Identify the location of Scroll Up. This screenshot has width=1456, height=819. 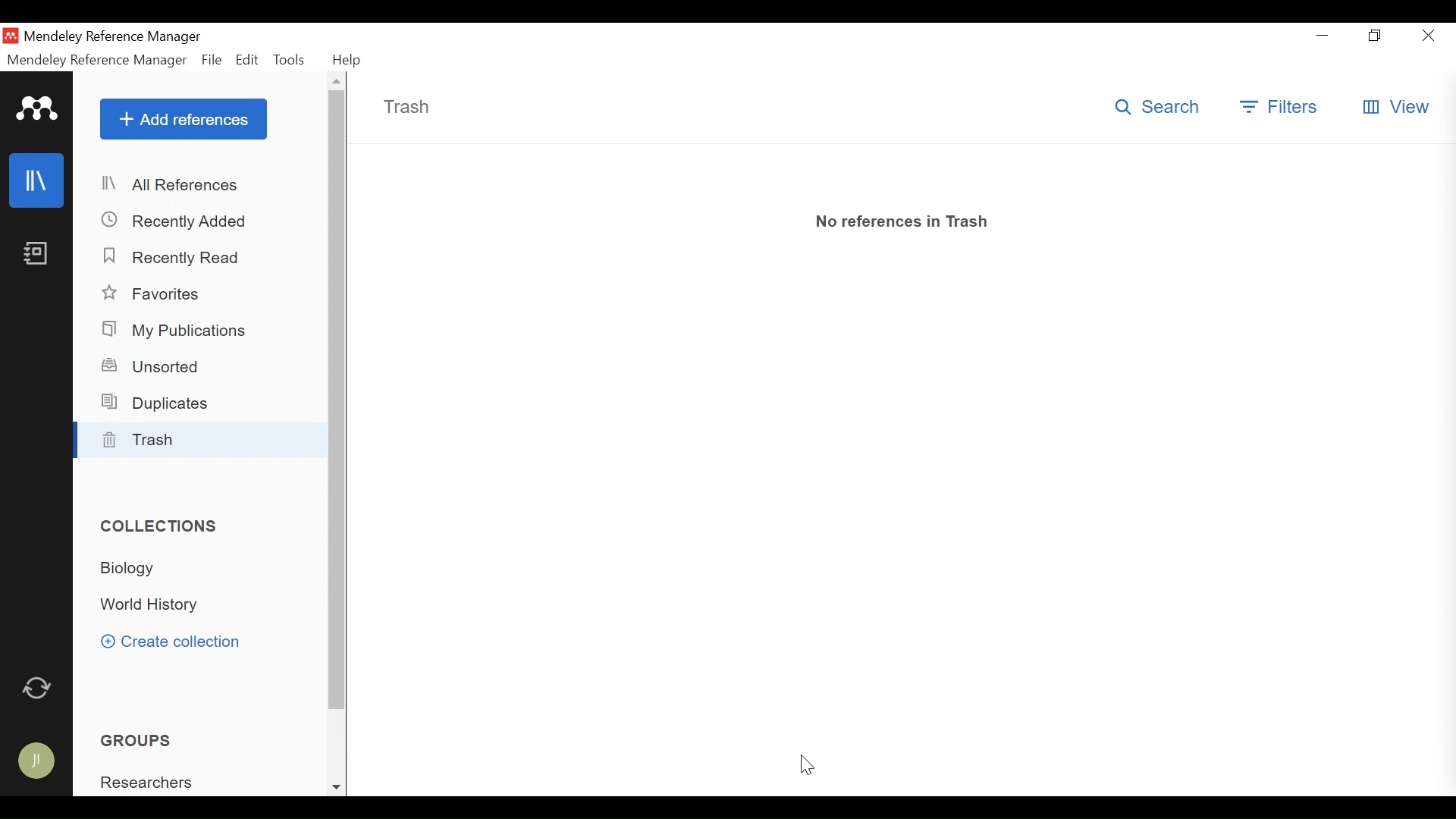
(336, 80).